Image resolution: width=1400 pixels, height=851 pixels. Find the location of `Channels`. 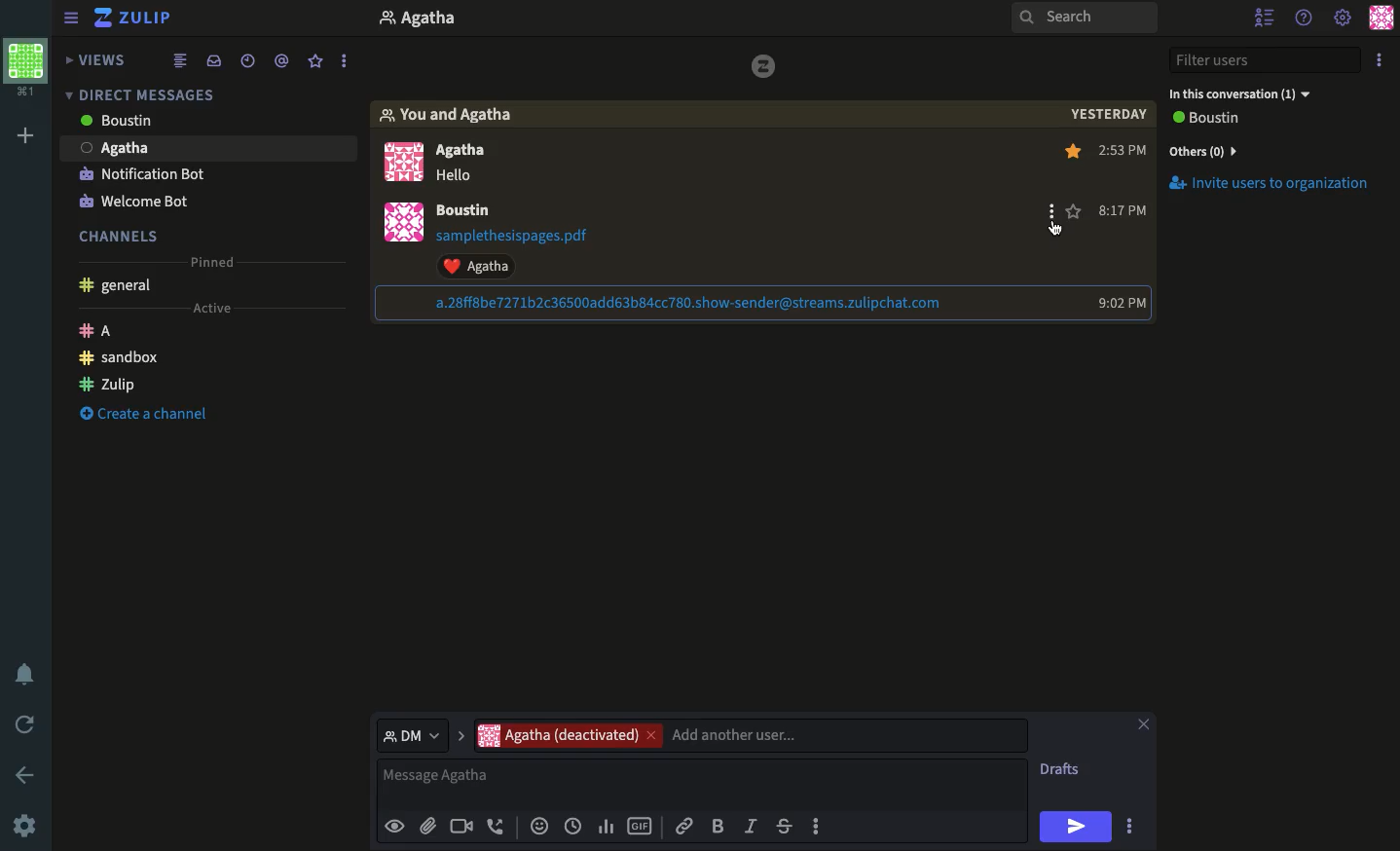

Channels is located at coordinates (126, 234).